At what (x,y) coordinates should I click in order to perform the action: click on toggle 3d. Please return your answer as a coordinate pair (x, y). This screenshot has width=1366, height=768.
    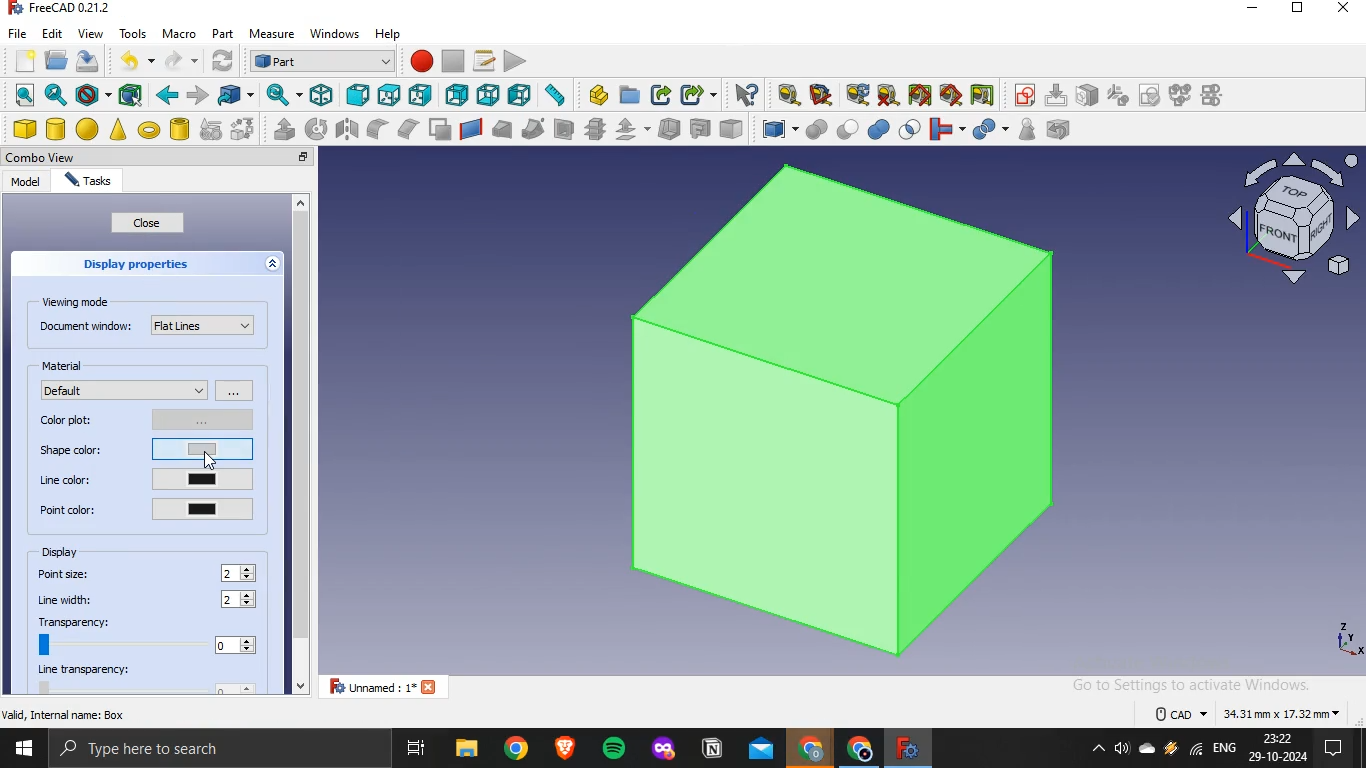
    Looking at the image, I should click on (951, 95).